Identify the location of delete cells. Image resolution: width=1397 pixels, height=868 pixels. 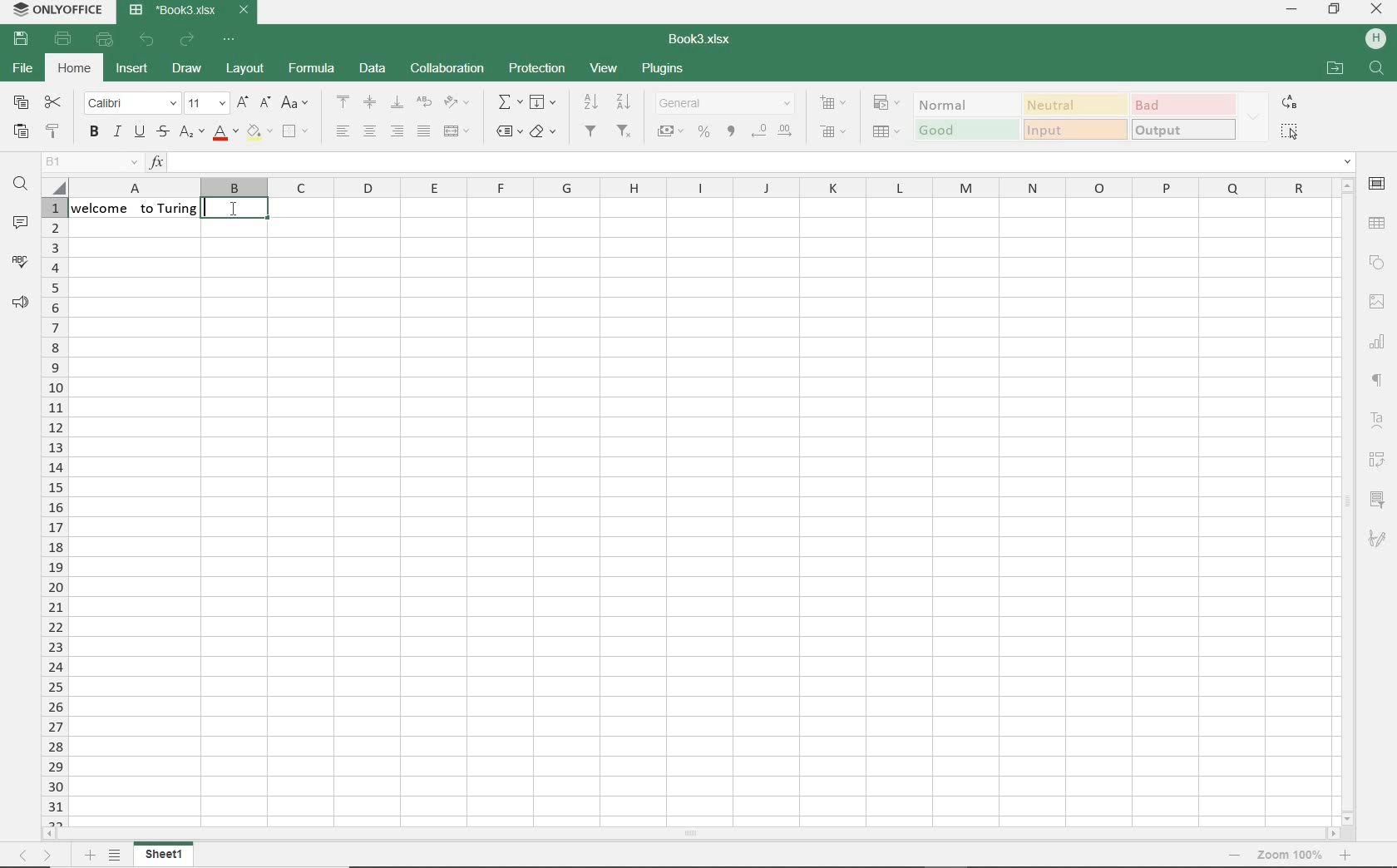
(832, 131).